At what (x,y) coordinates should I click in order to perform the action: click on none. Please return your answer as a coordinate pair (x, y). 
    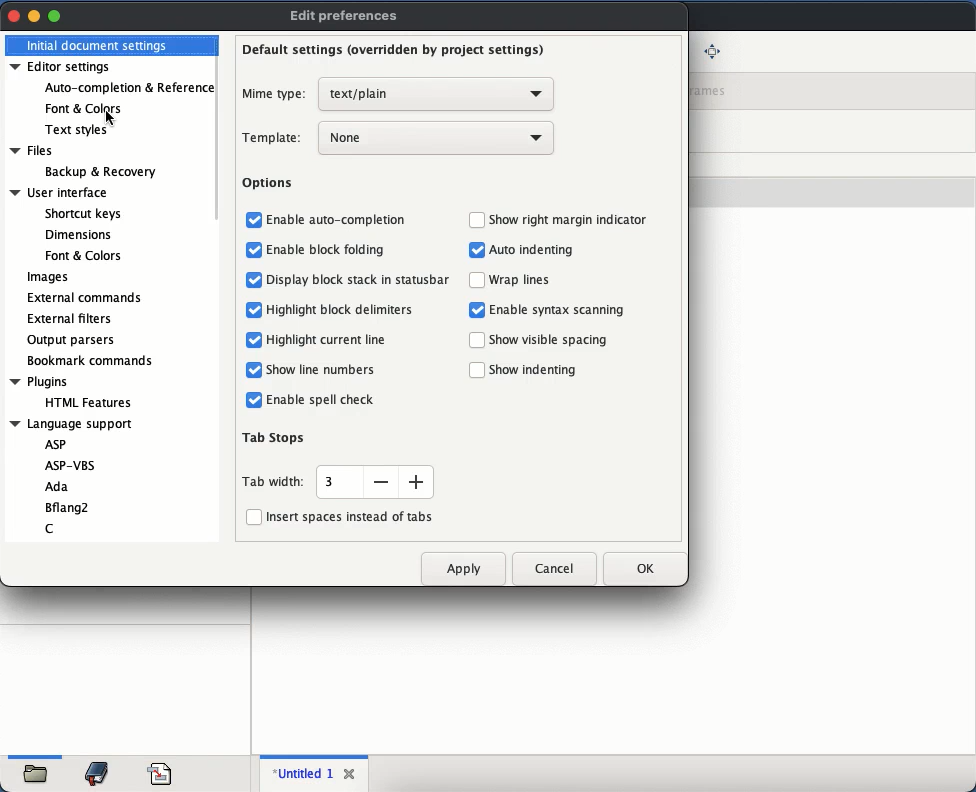
    Looking at the image, I should click on (435, 140).